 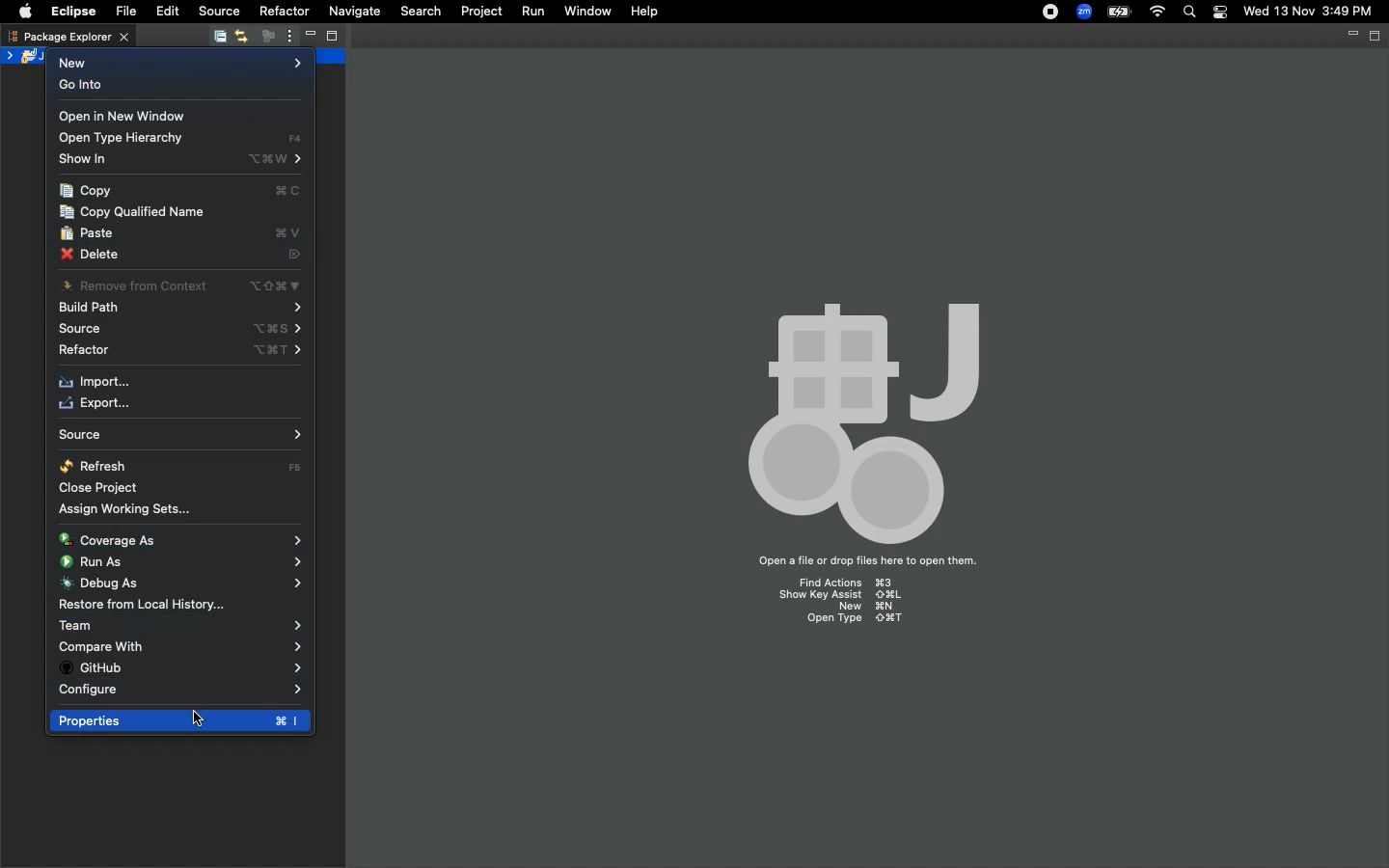 What do you see at coordinates (284, 12) in the screenshot?
I see `Refactor` at bounding box center [284, 12].